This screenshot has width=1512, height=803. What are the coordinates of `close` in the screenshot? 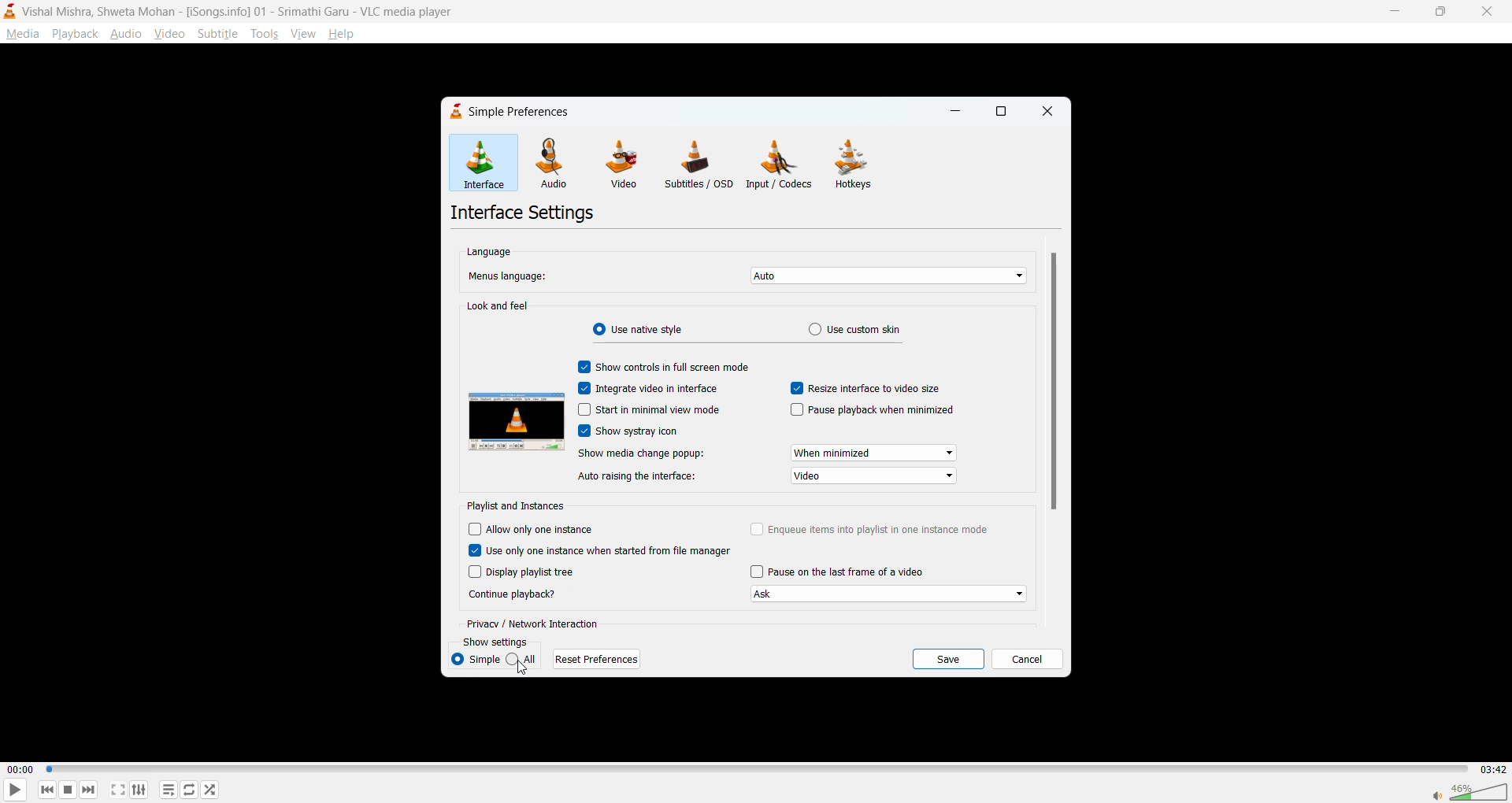 It's located at (1045, 112).